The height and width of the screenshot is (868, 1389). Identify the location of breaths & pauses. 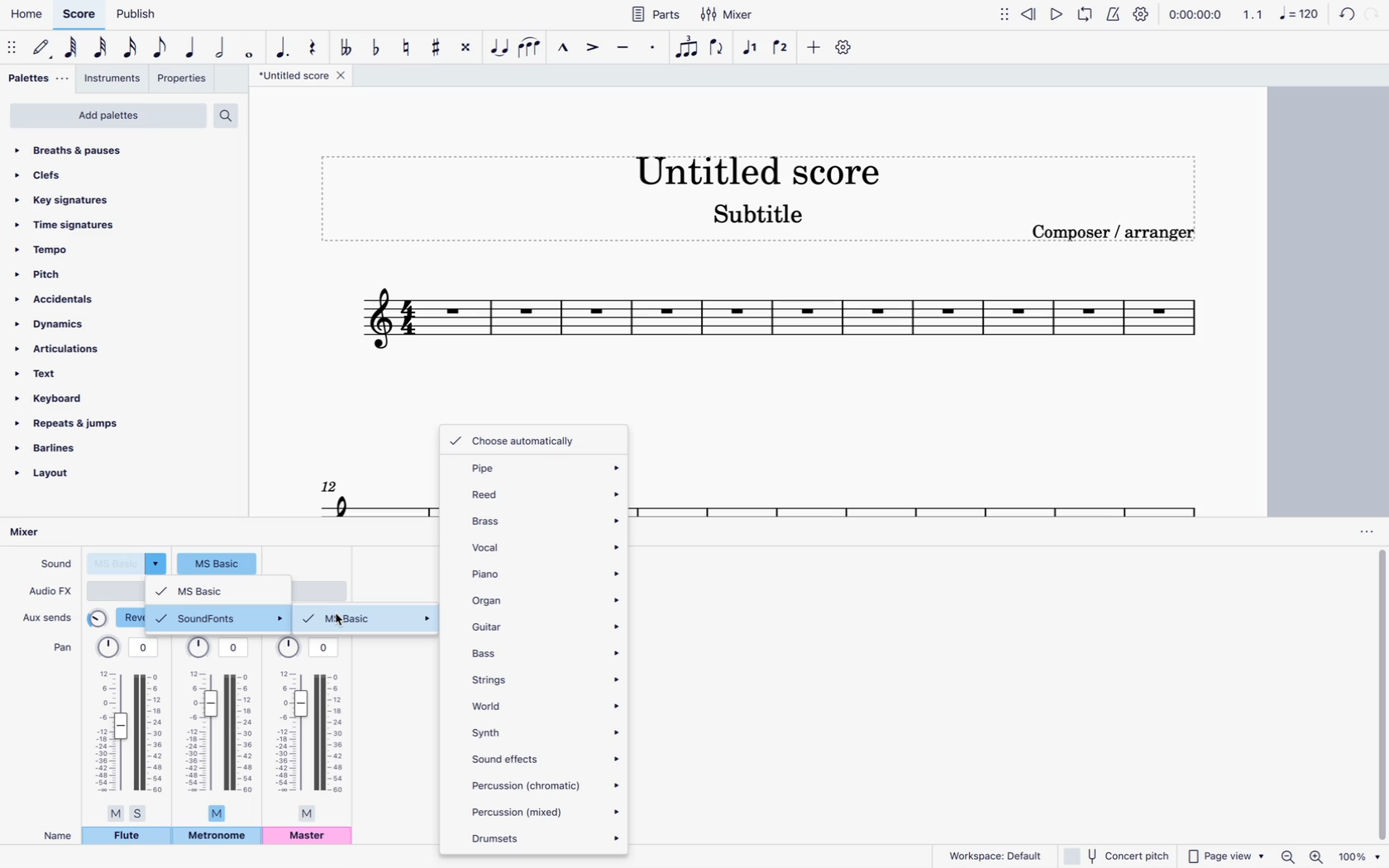
(93, 150).